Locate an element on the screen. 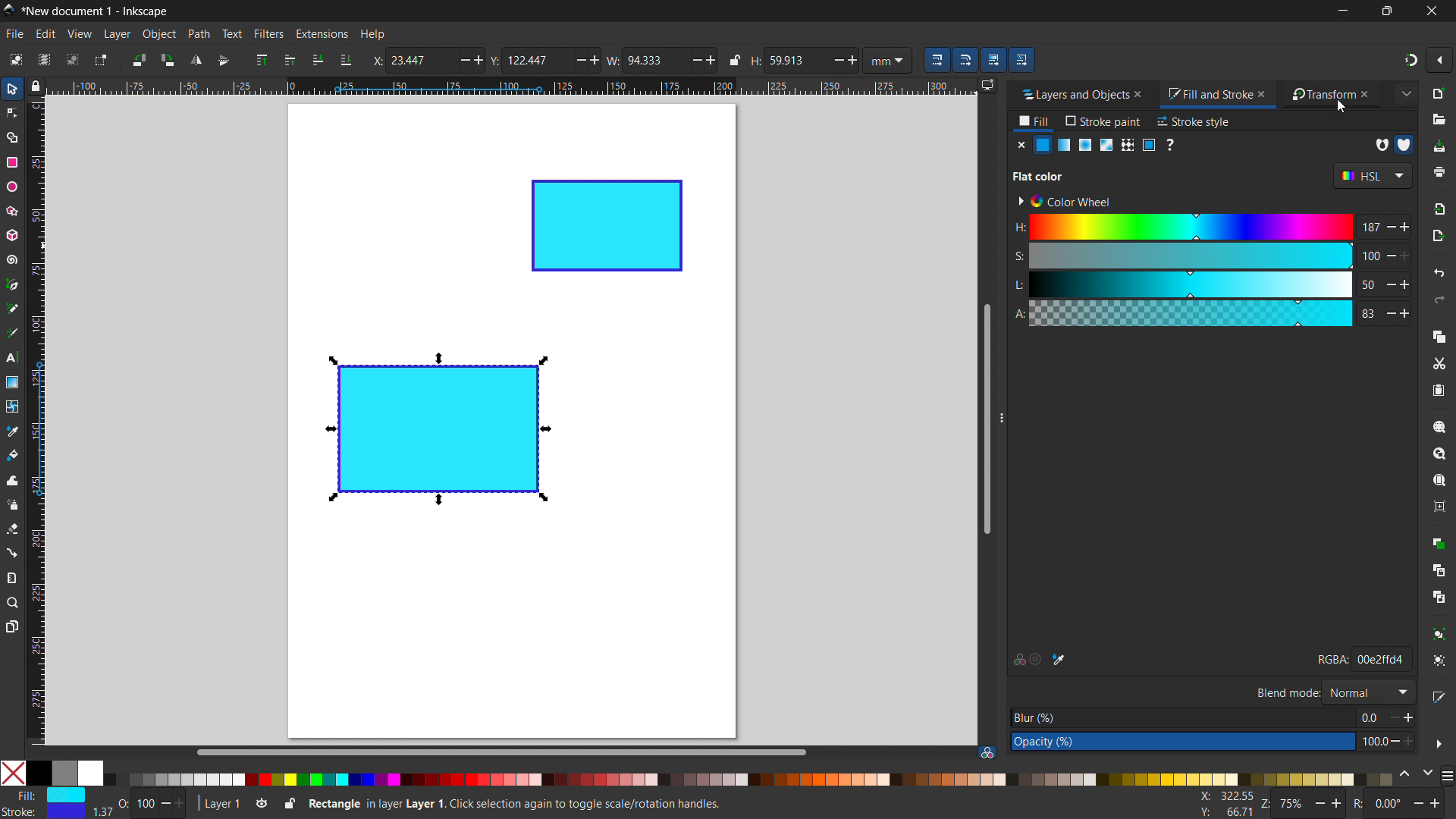 The image size is (1456, 819). fill color is located at coordinates (1043, 145).